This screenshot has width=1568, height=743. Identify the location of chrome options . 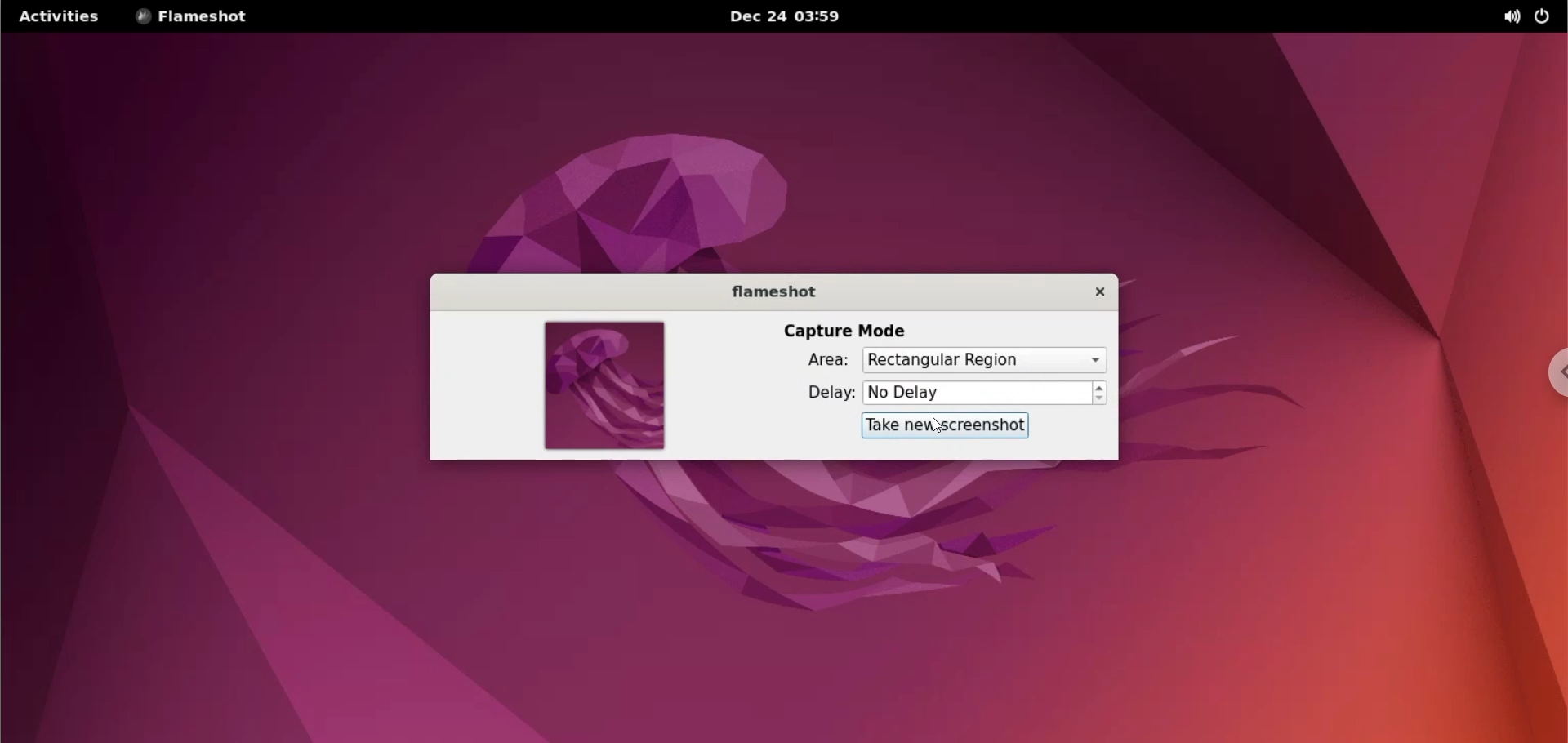
(1552, 376).